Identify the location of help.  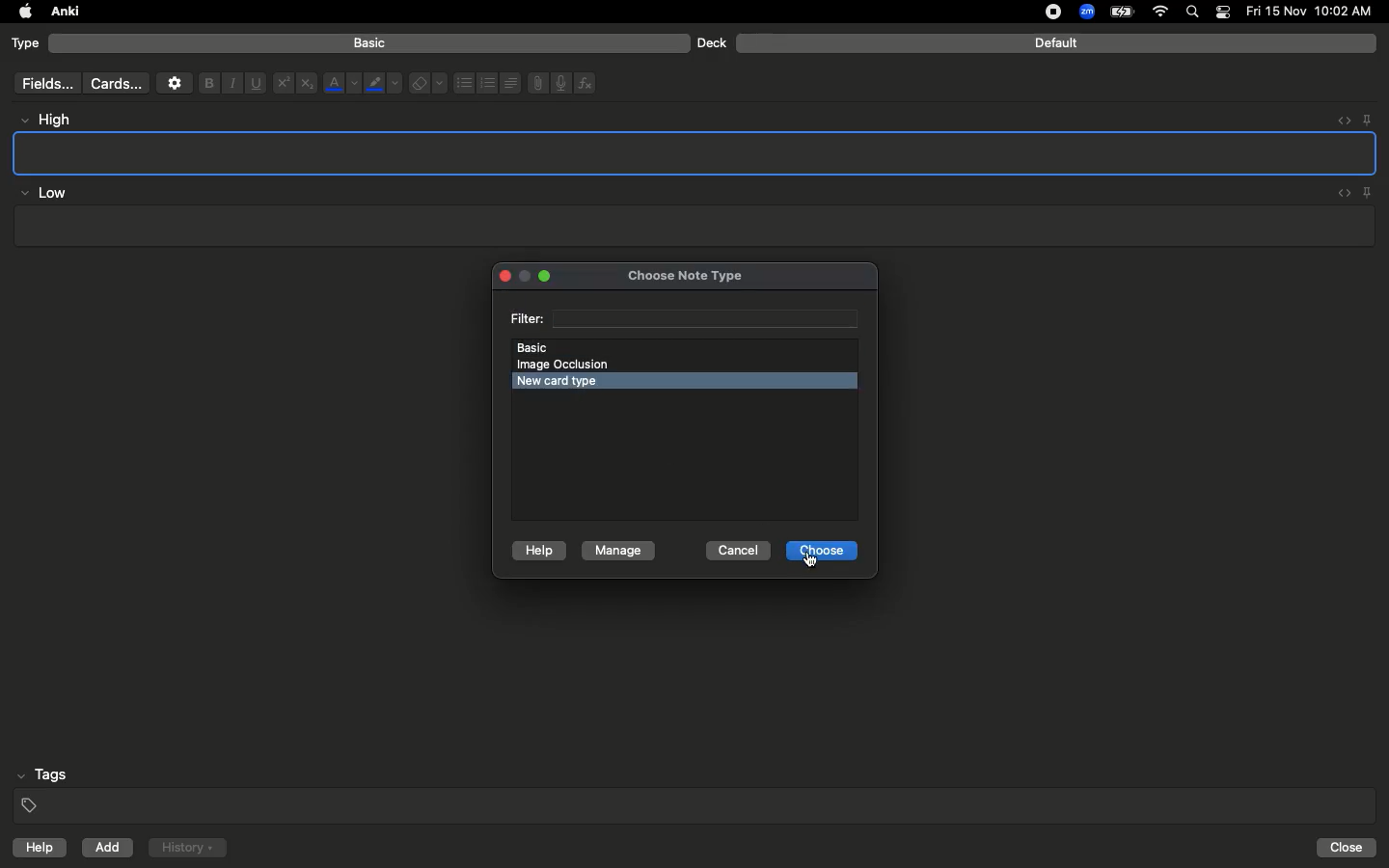
(36, 850).